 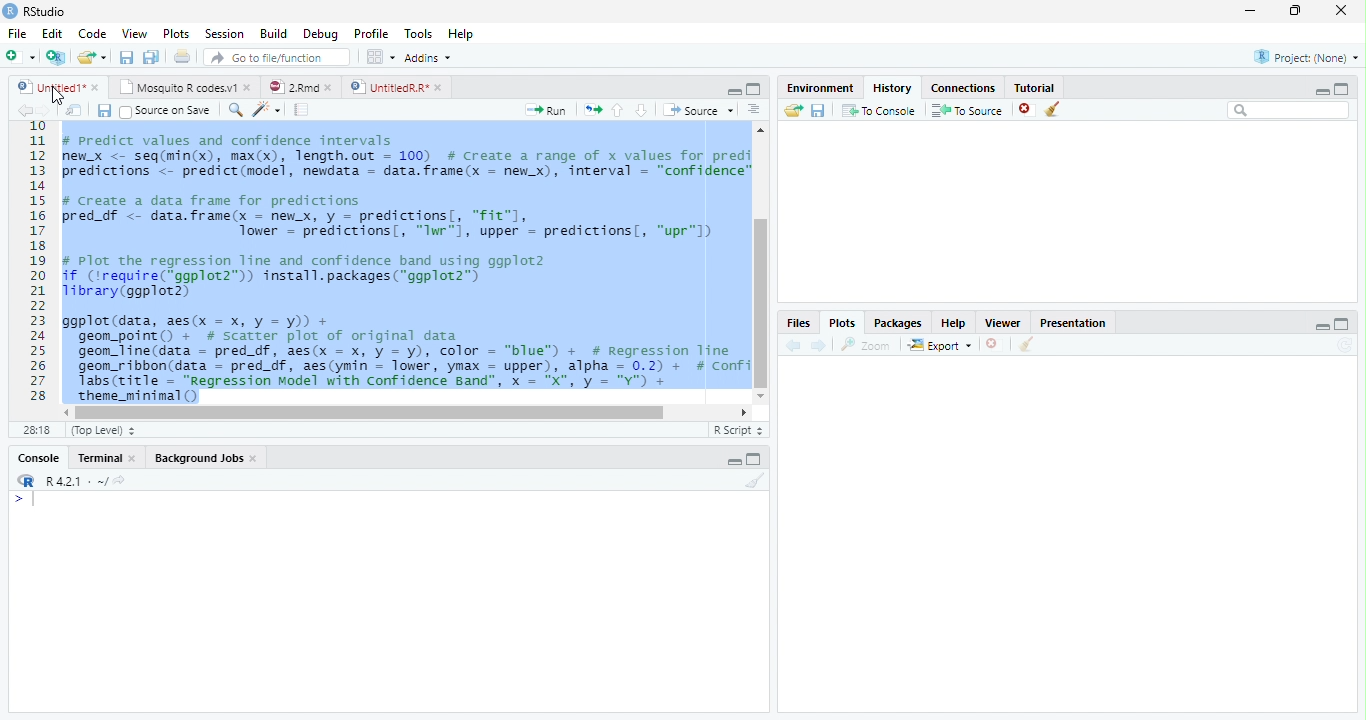 I want to click on Maximize, so click(x=756, y=89).